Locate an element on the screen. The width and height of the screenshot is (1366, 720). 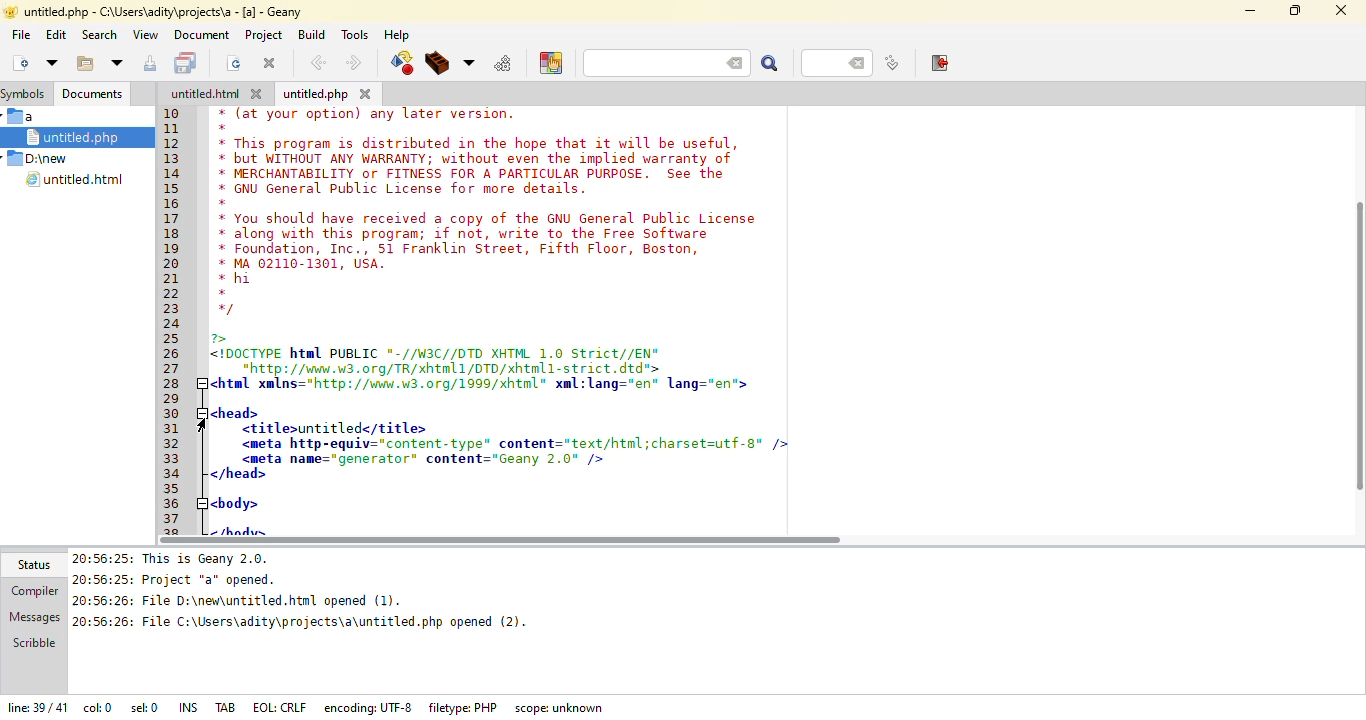
back space is located at coordinates (858, 63).